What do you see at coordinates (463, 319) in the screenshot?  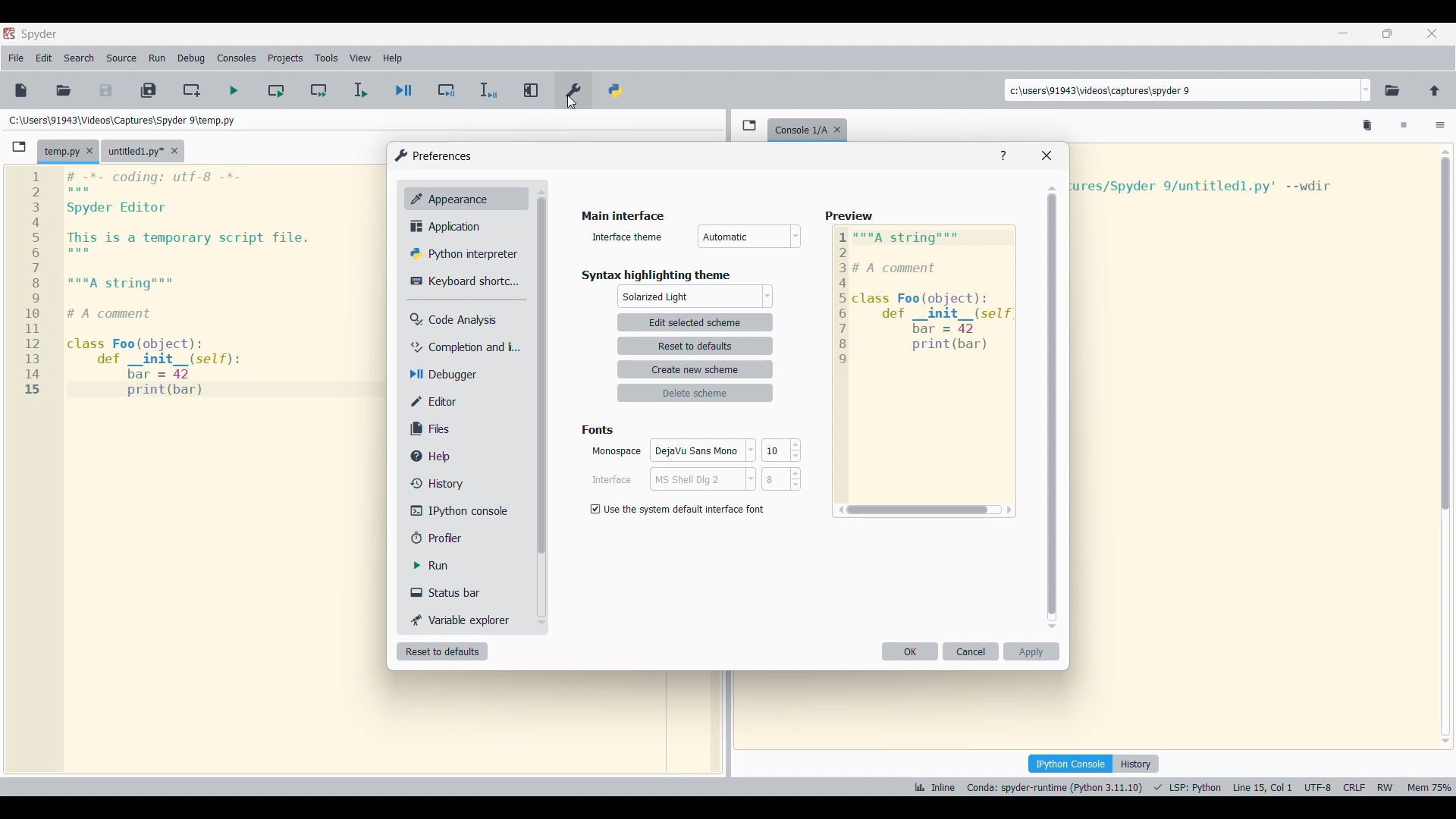 I see `Code analysis` at bounding box center [463, 319].